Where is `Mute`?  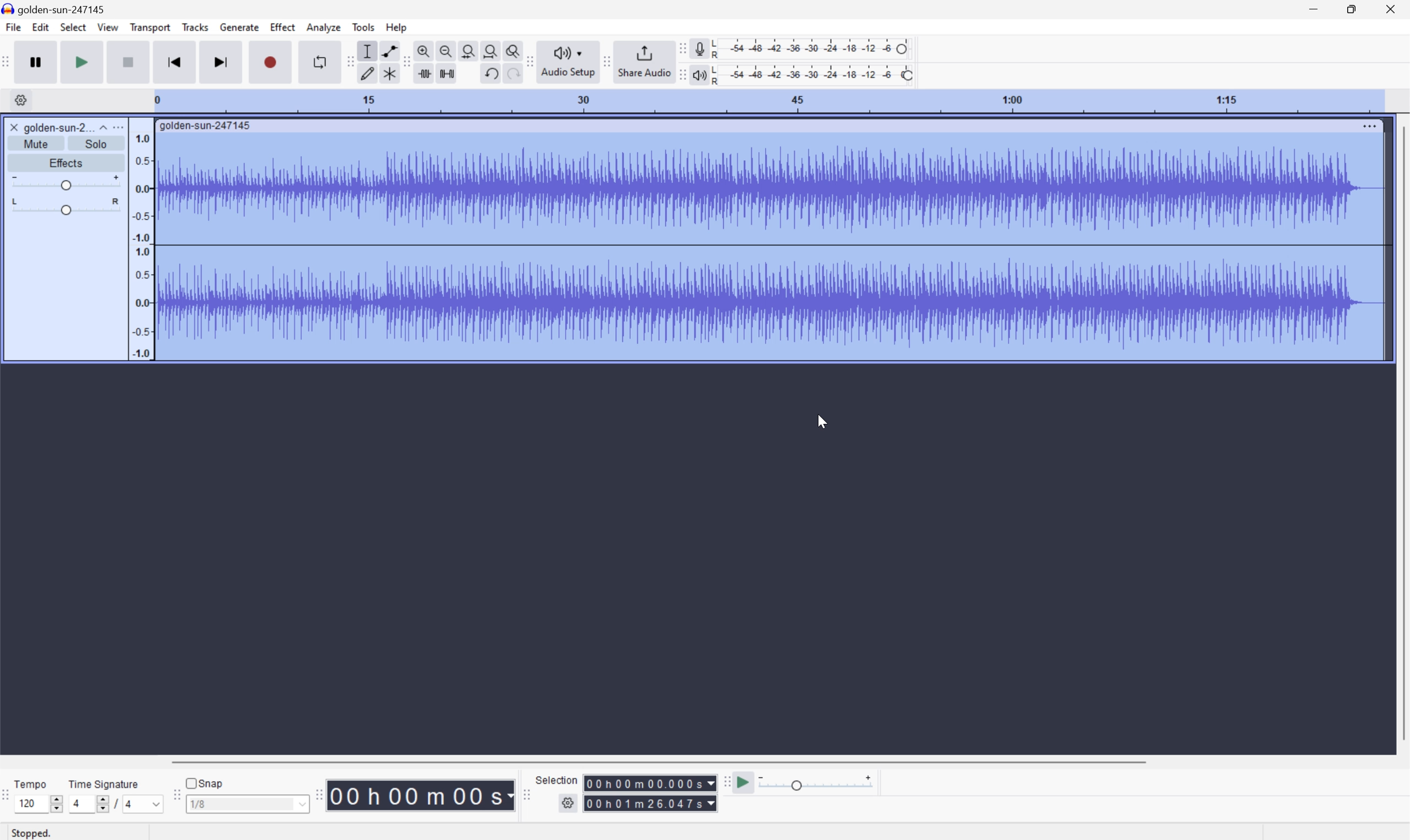
Mute is located at coordinates (36, 143).